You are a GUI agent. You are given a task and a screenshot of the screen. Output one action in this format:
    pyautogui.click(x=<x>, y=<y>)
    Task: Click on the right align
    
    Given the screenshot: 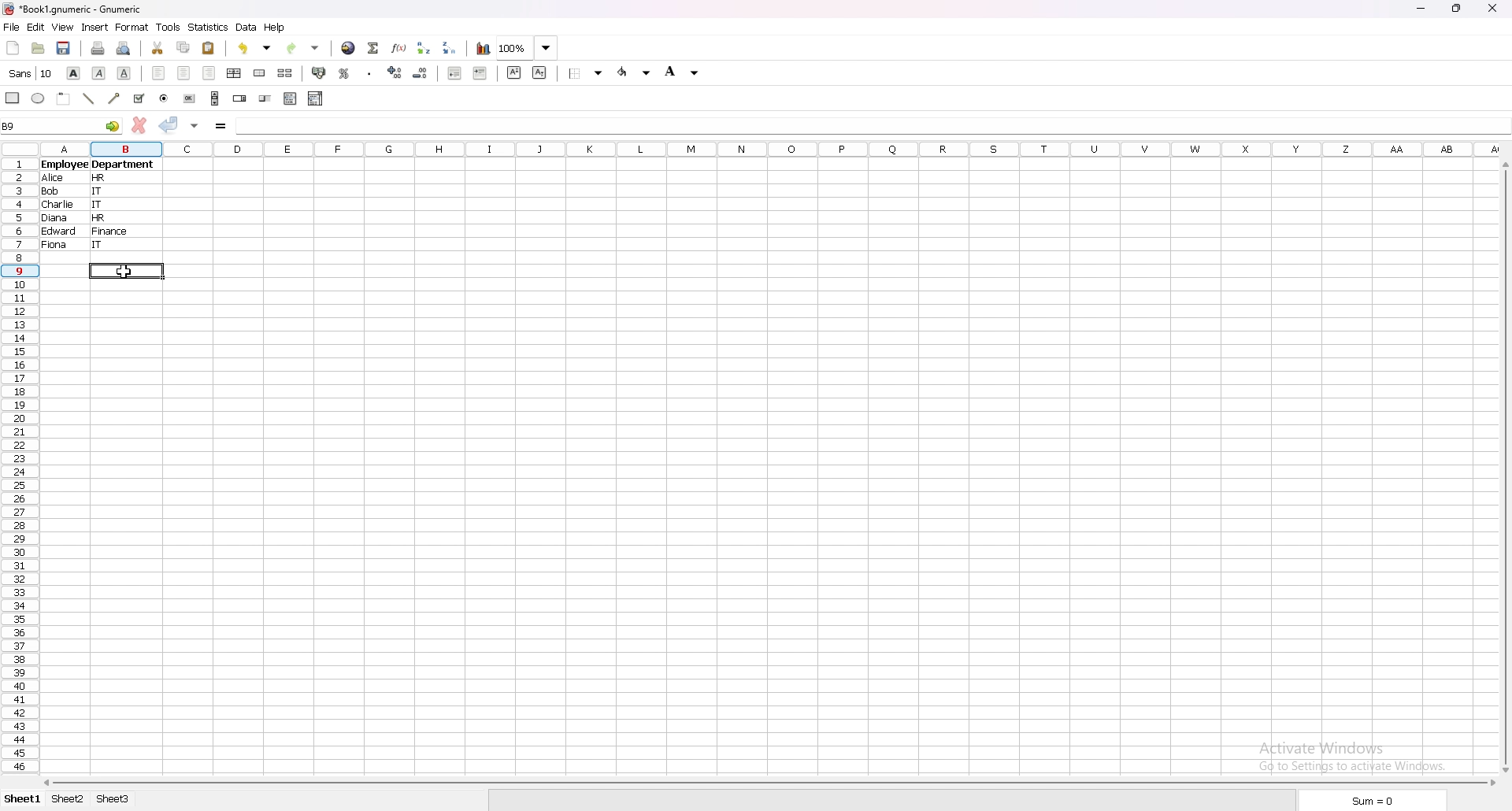 What is the action you would take?
    pyautogui.click(x=209, y=74)
    